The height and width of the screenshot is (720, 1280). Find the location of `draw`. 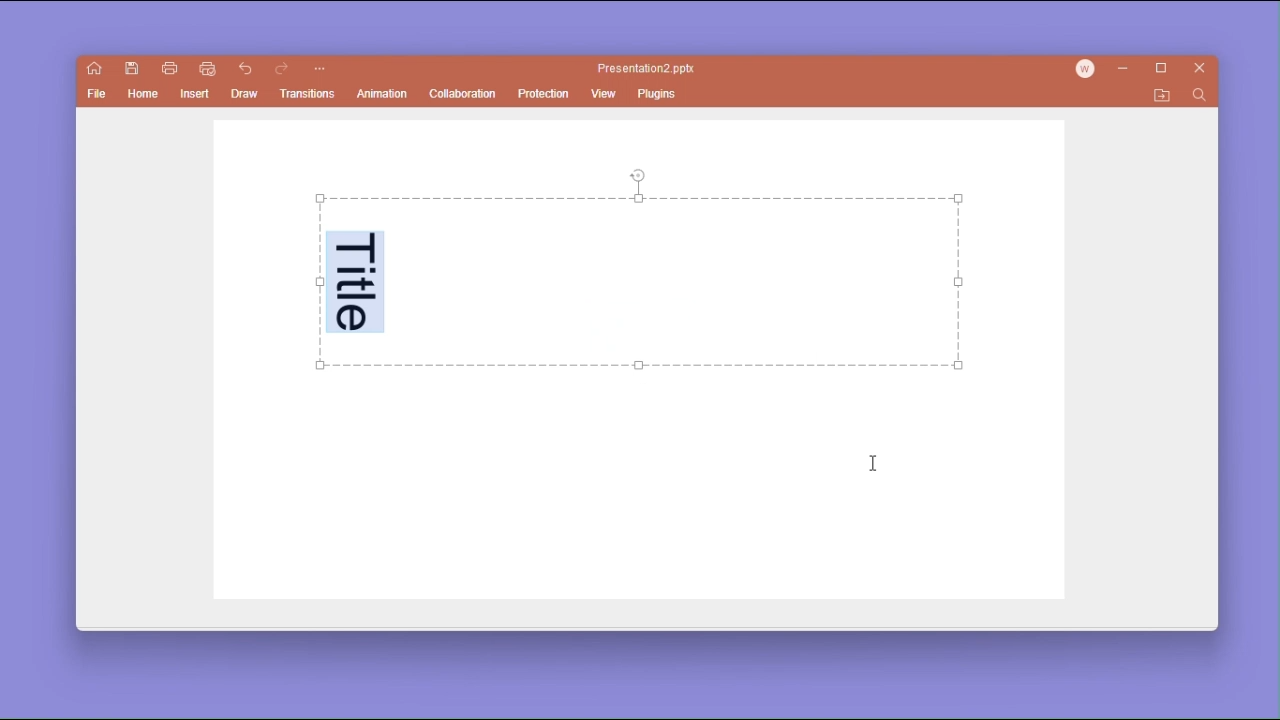

draw is located at coordinates (246, 94).